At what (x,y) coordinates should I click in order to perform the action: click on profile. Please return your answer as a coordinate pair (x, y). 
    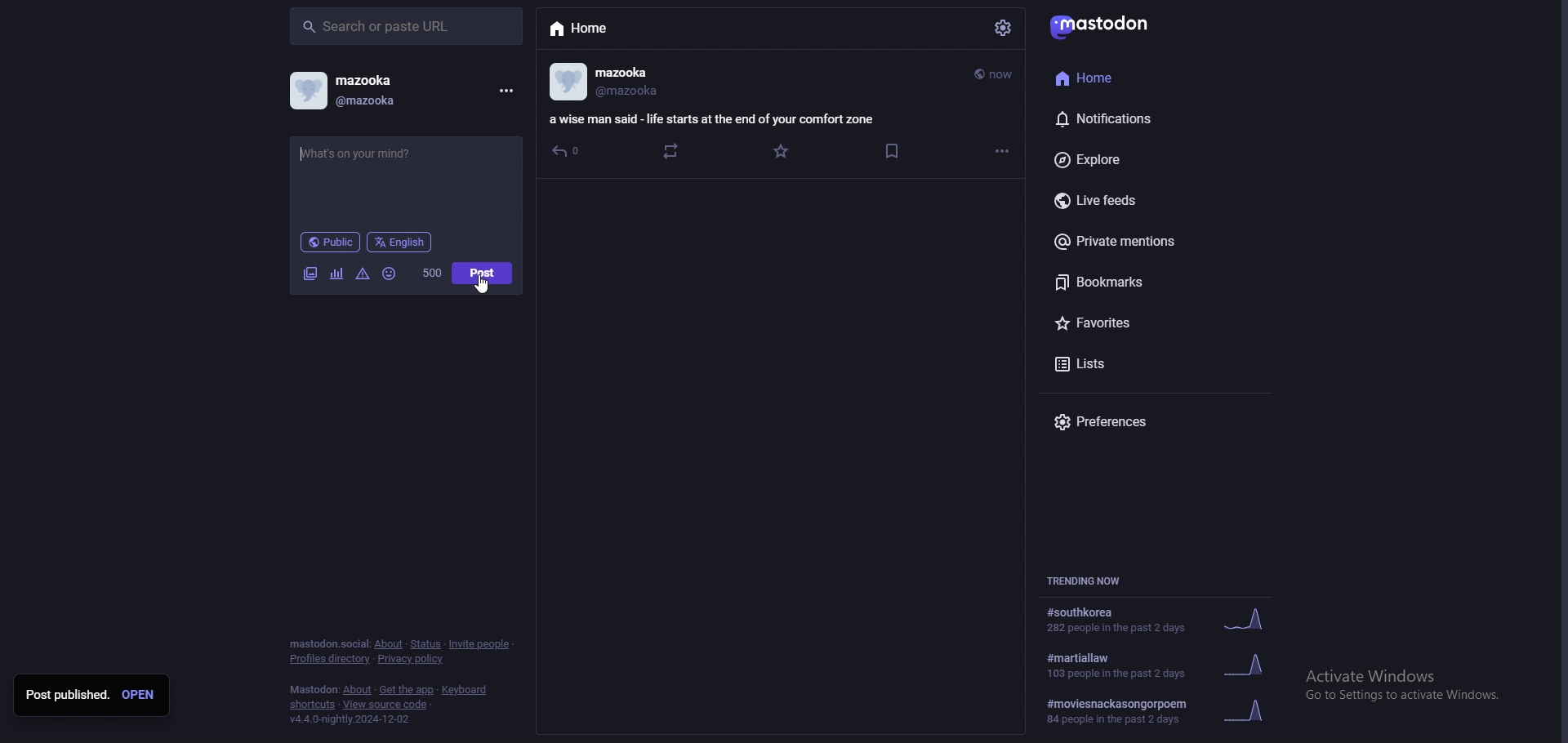
    Looking at the image, I should click on (566, 80).